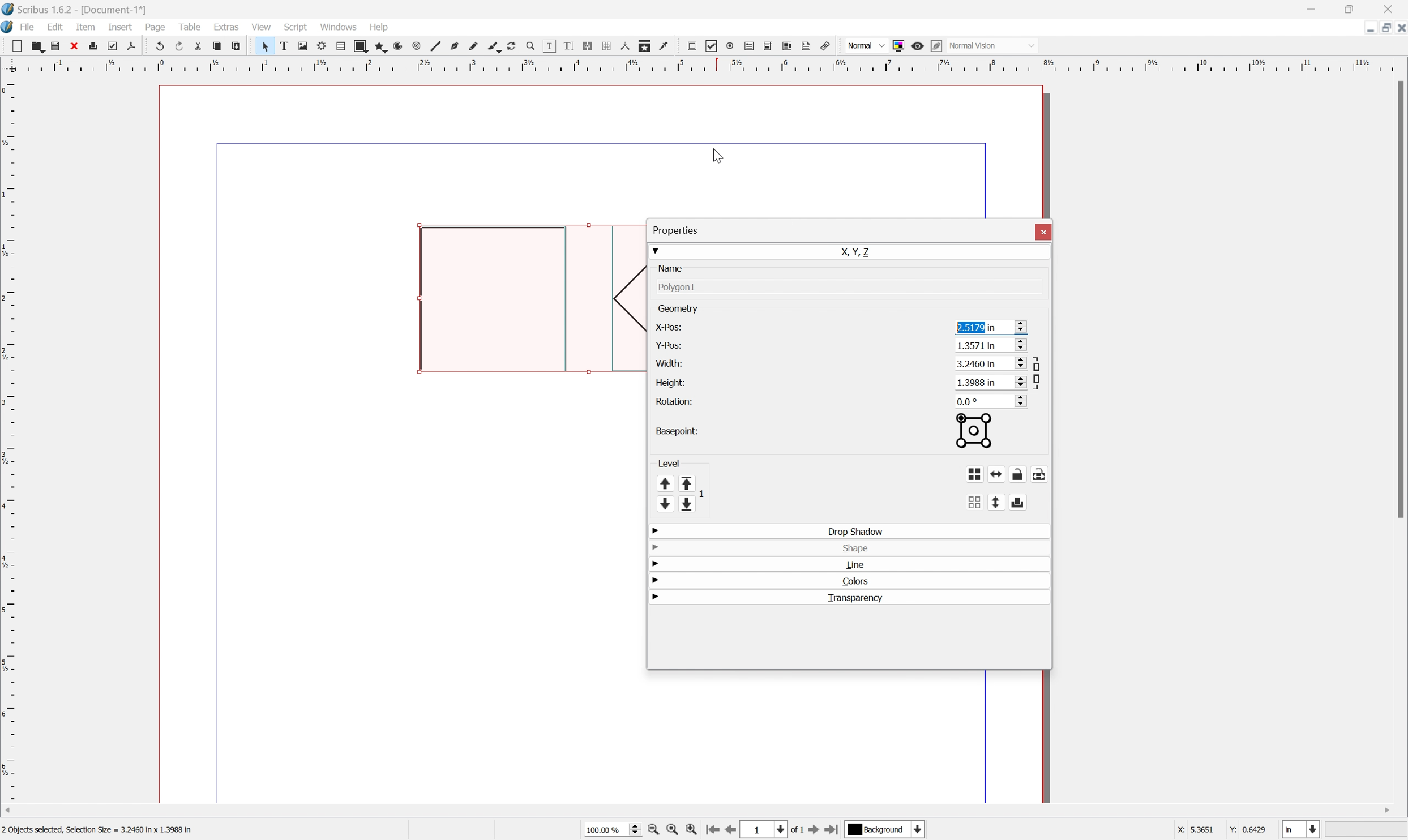  I want to click on transparency, so click(857, 599).